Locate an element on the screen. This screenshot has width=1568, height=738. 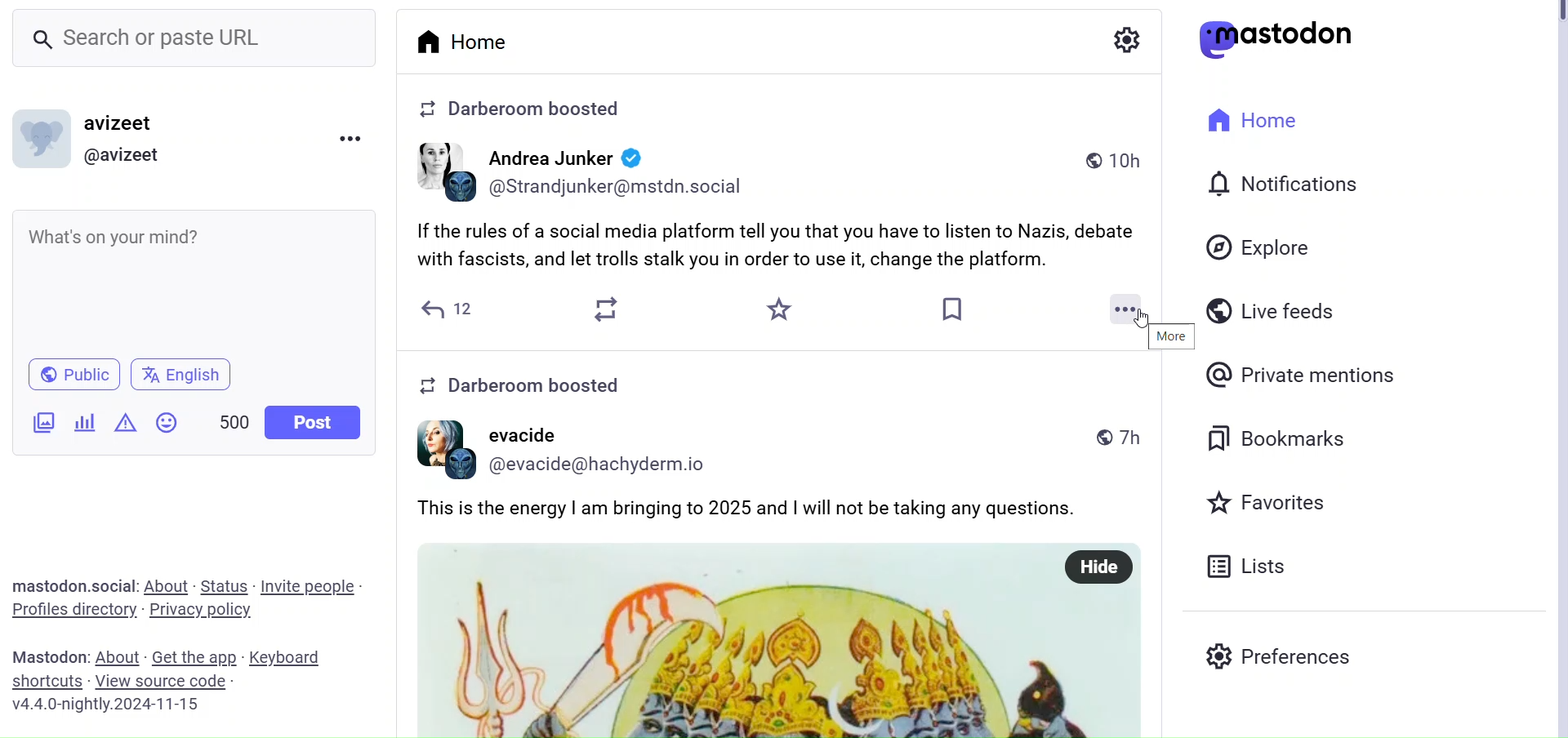
info is located at coordinates (517, 387).